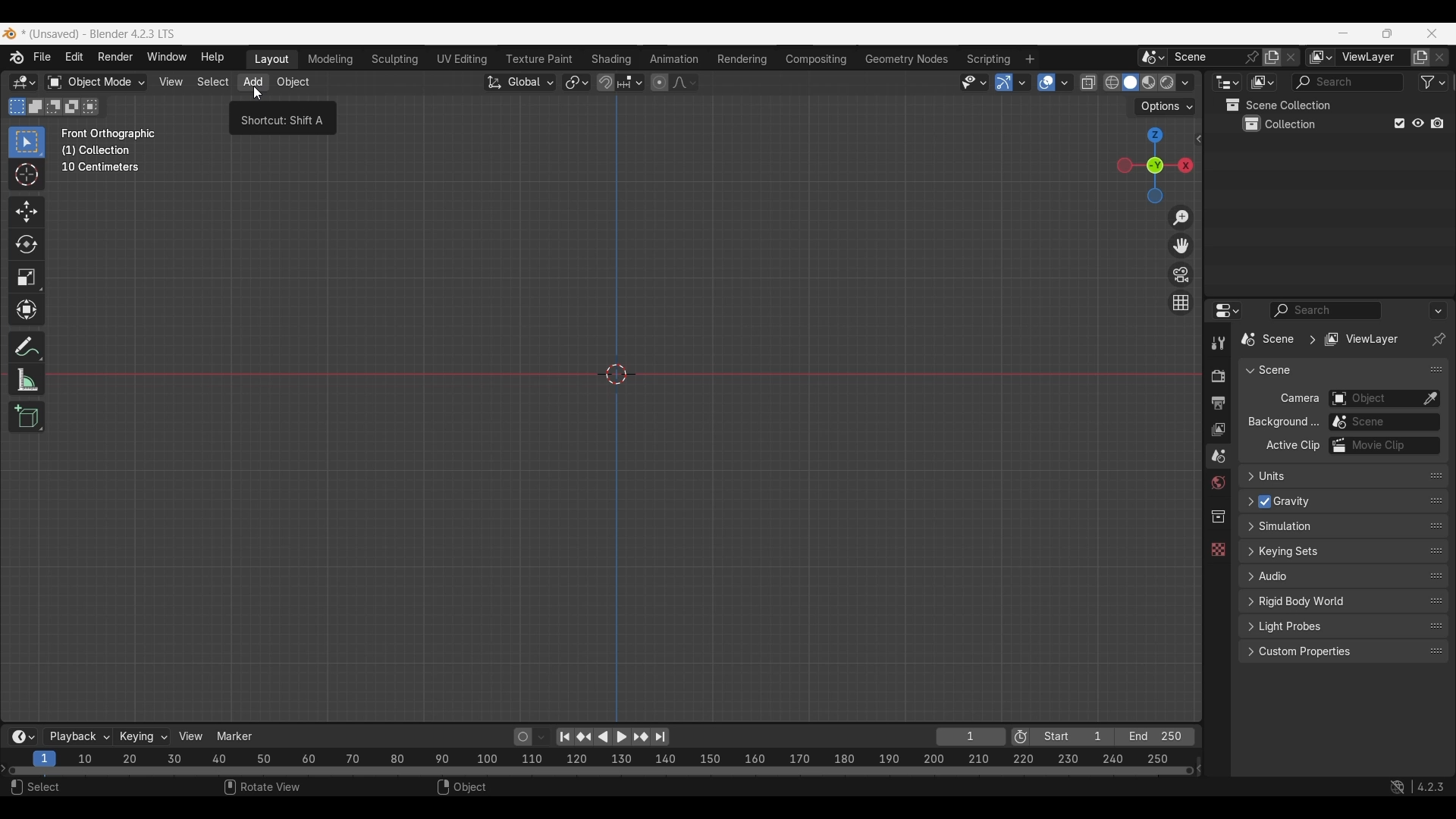 This screenshot has width=1456, height=819. What do you see at coordinates (1181, 246) in the screenshot?
I see `Move the view` at bounding box center [1181, 246].